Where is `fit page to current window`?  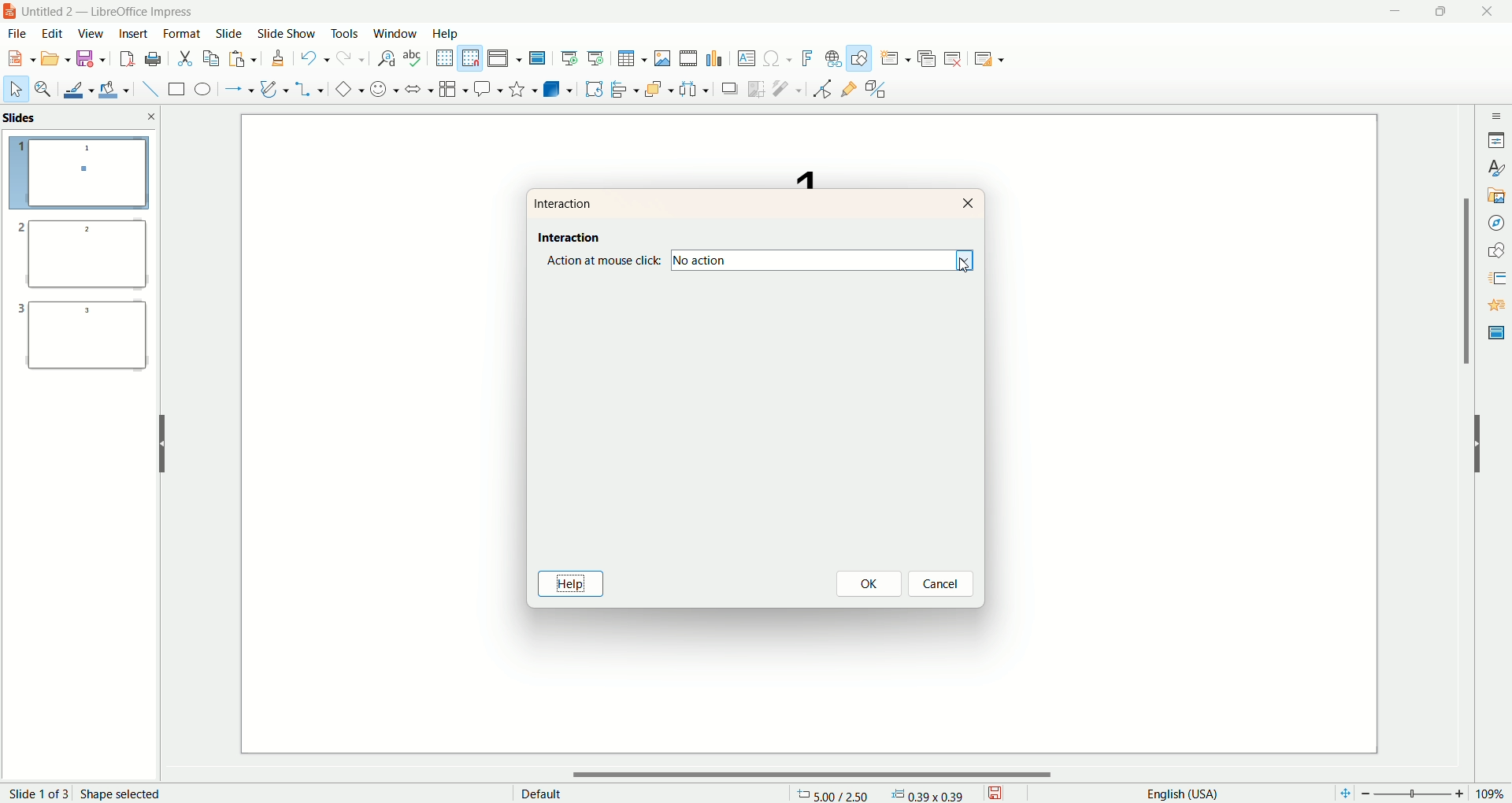 fit page to current window is located at coordinates (1340, 794).